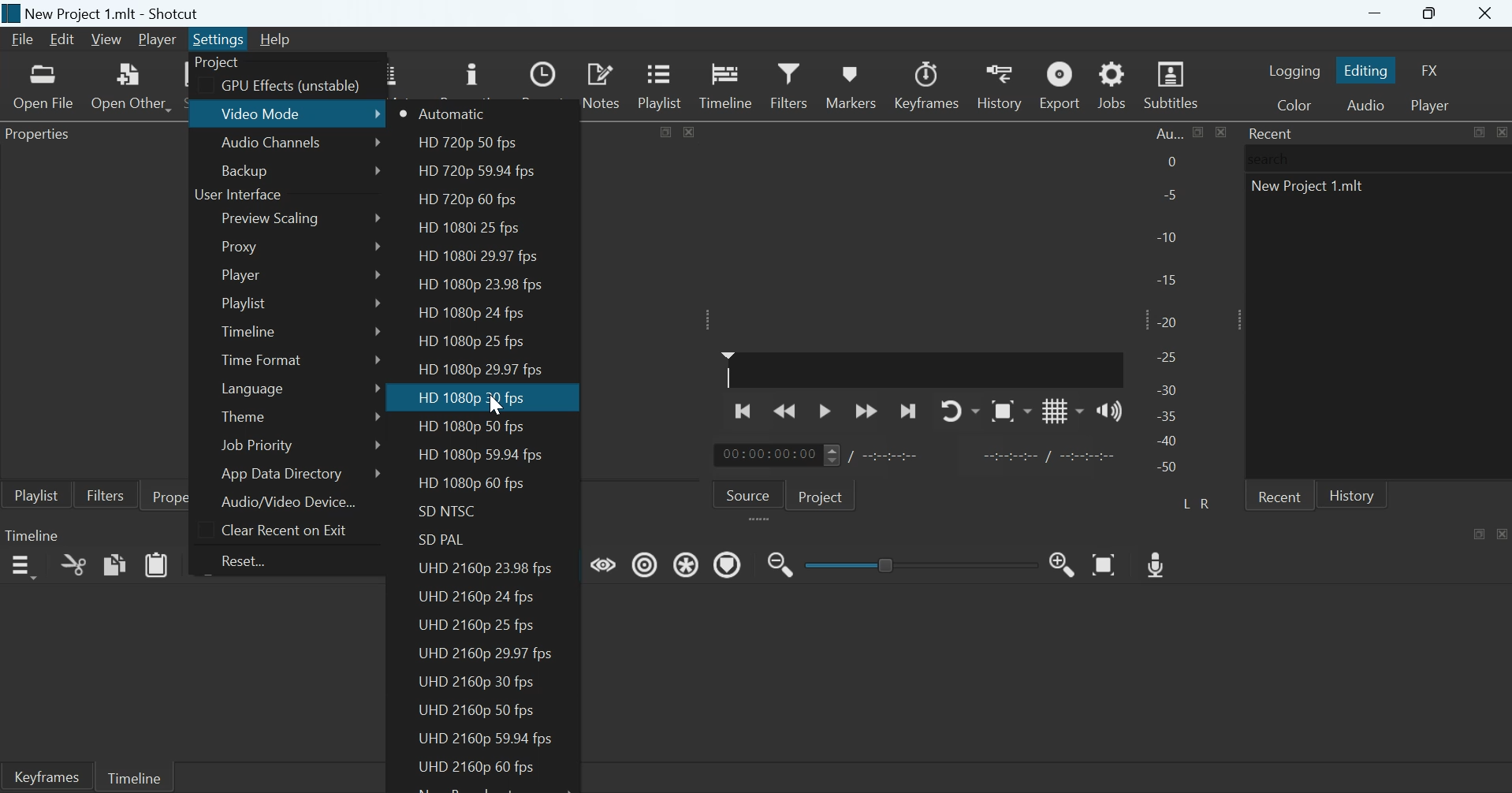  What do you see at coordinates (831, 455) in the screenshot?
I see `Scroll buttons` at bounding box center [831, 455].